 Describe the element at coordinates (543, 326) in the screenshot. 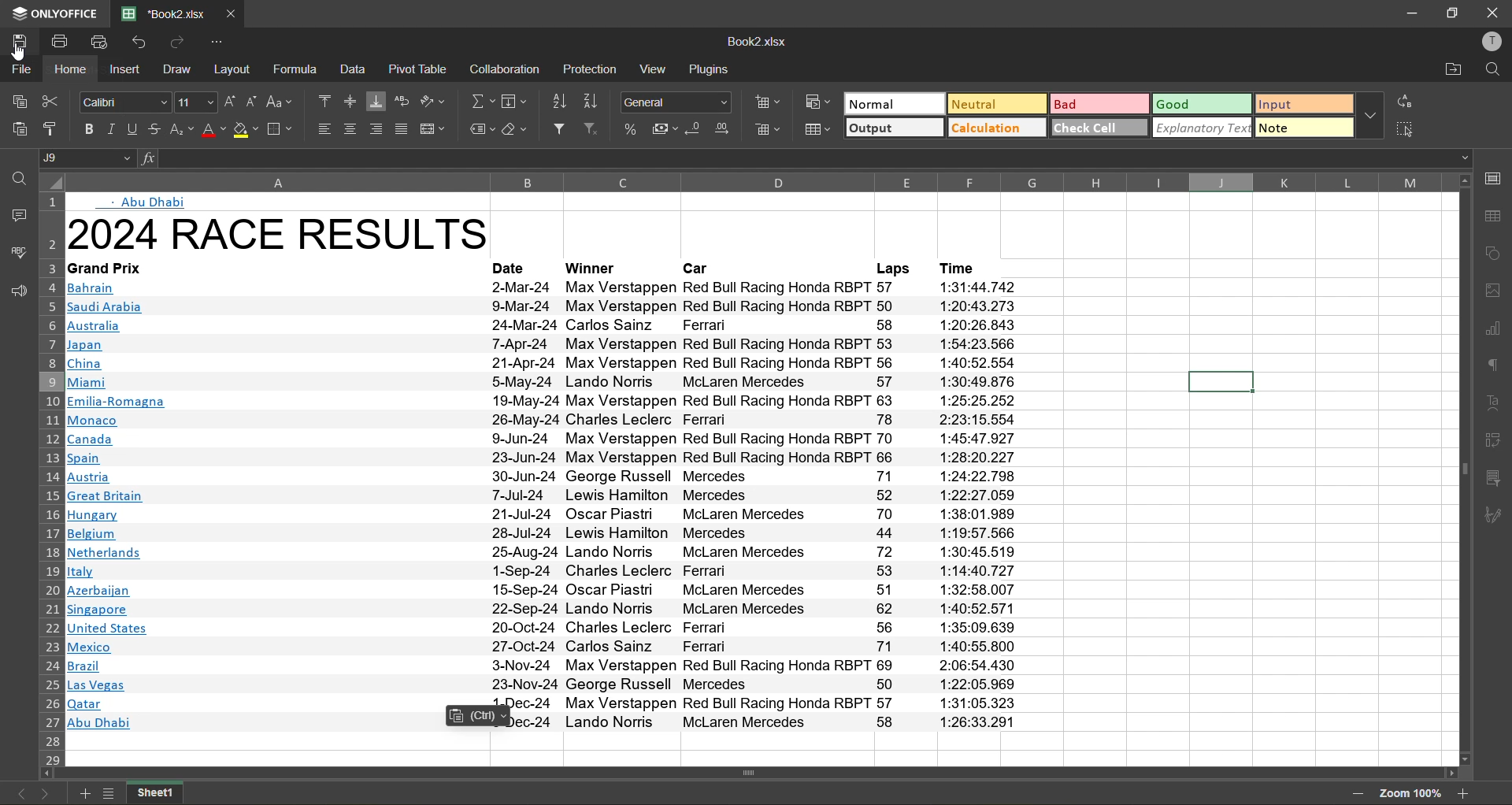

I see `text info` at that location.